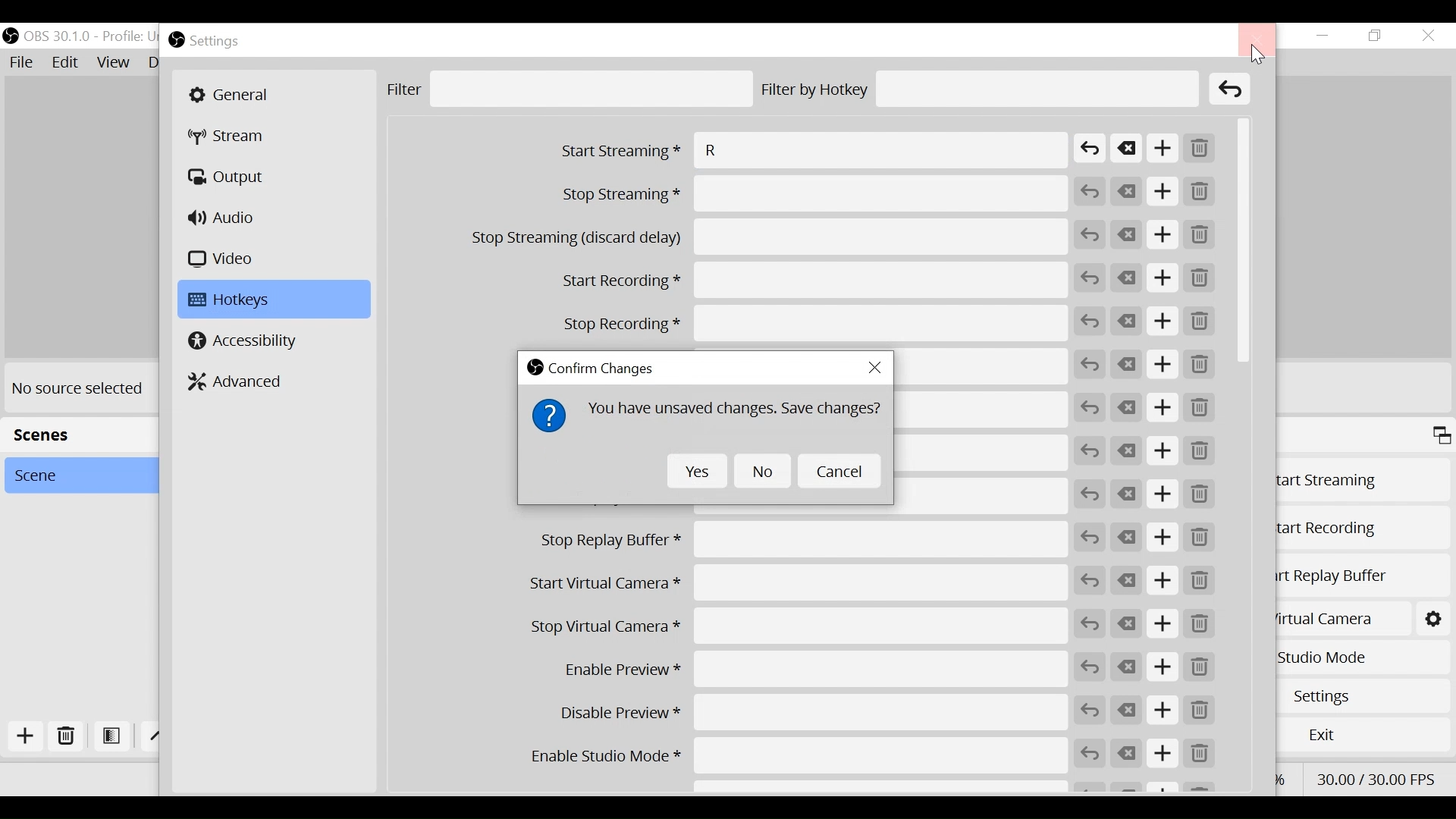 Image resolution: width=1456 pixels, height=819 pixels. I want to click on Remove, so click(1199, 453).